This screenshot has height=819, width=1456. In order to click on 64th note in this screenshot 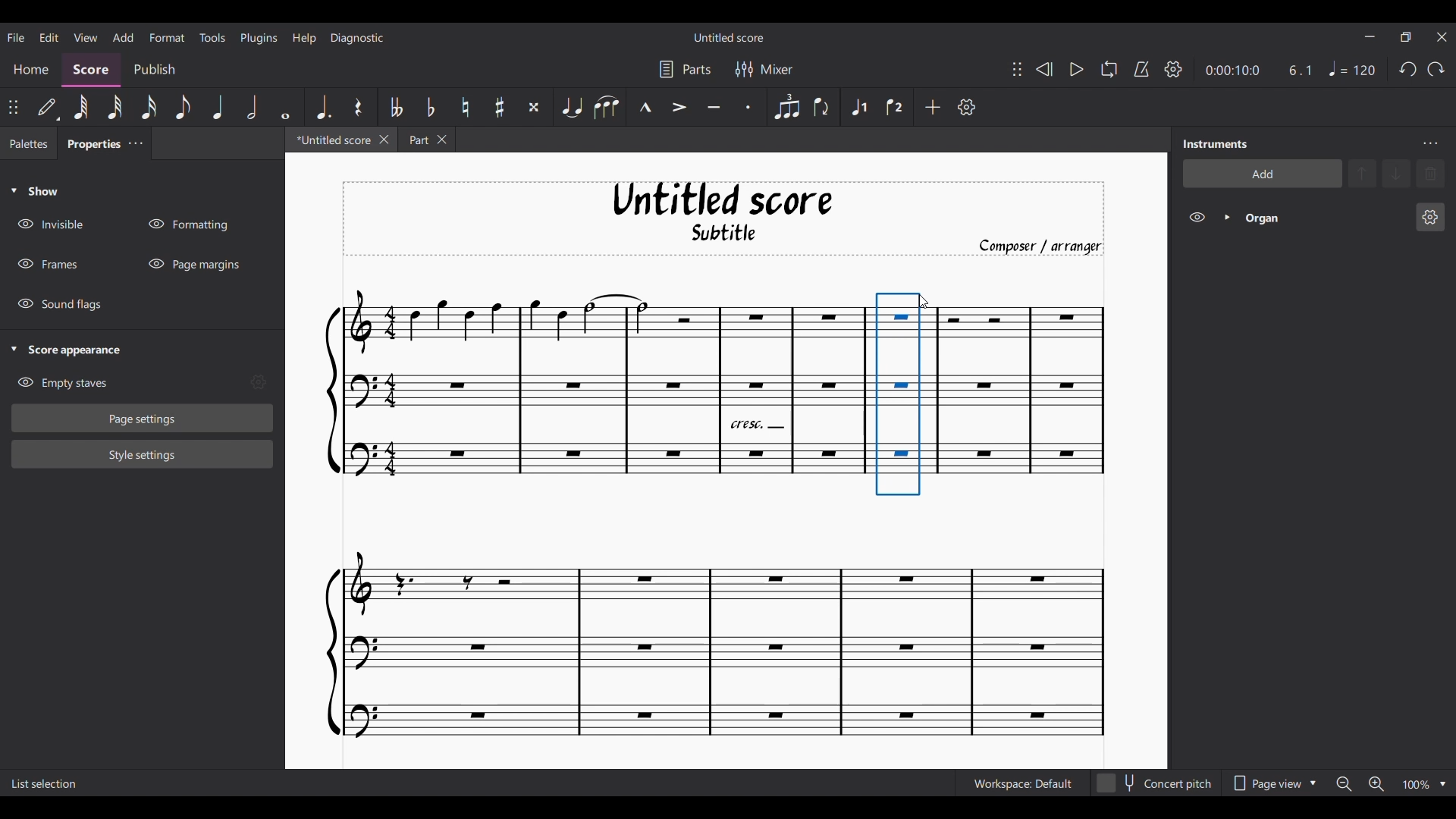, I will do `click(80, 107)`.